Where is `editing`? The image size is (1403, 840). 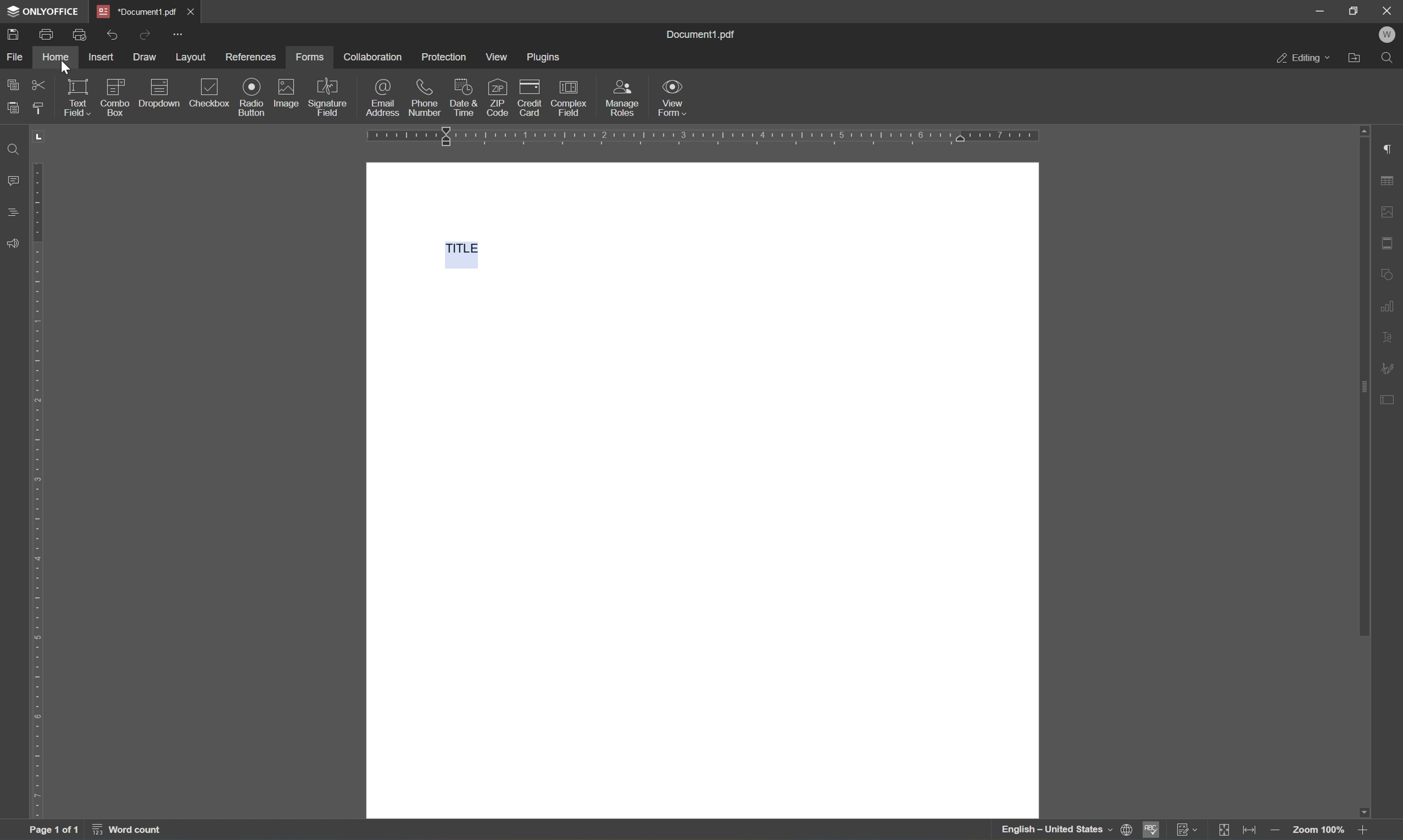 editing is located at coordinates (1302, 59).